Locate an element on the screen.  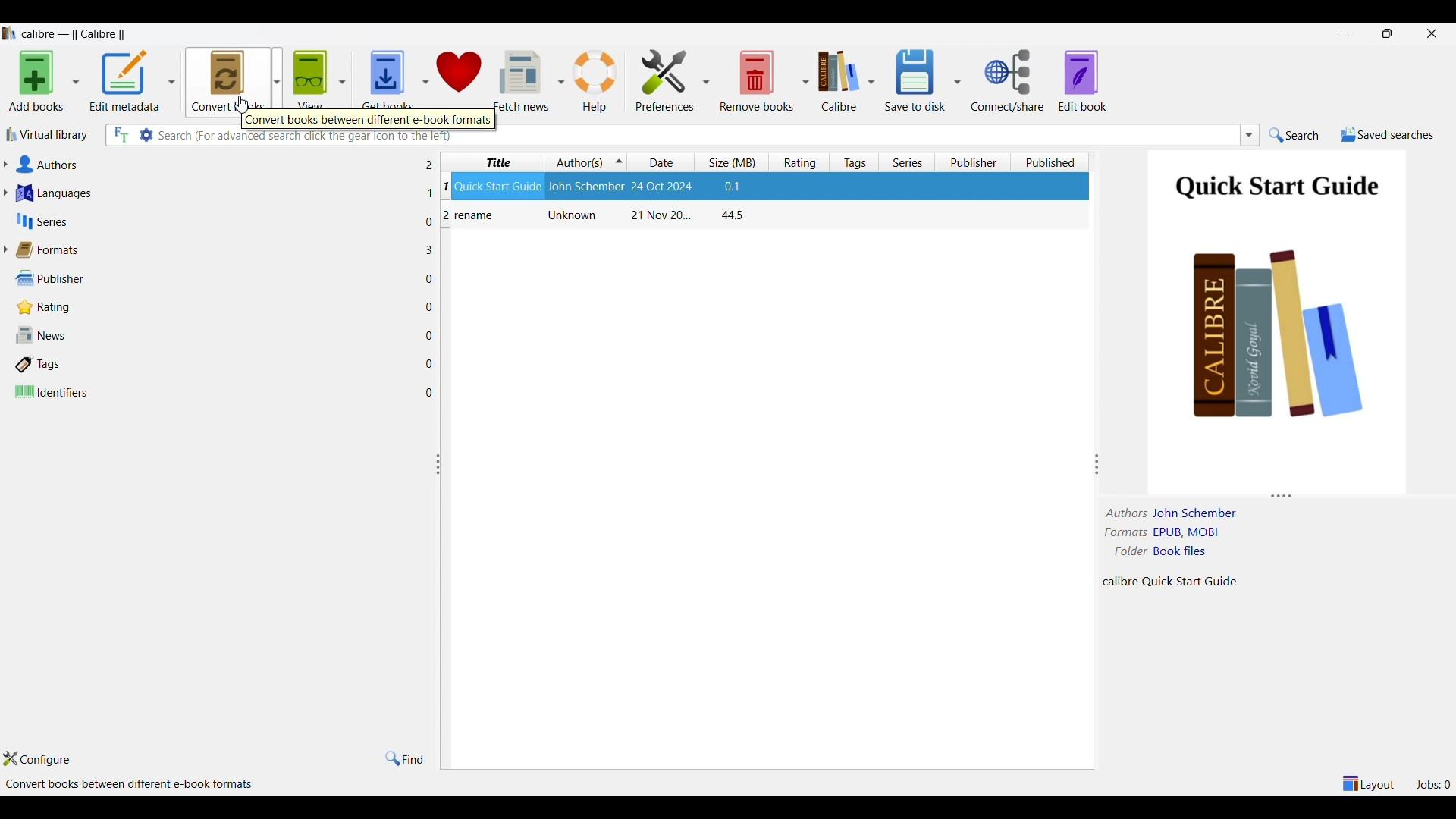
Published column is located at coordinates (1052, 162).